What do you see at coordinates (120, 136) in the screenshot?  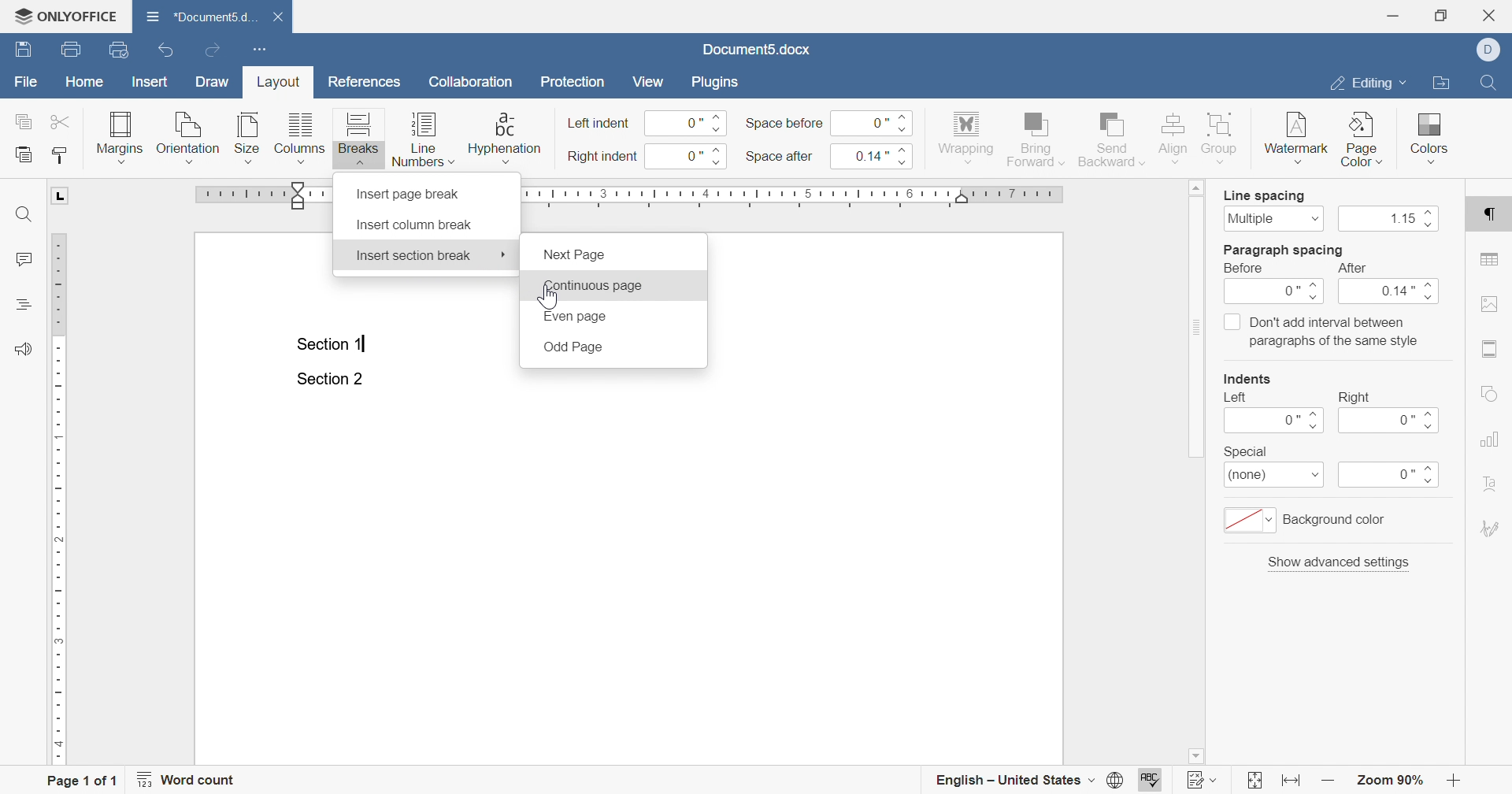 I see `margins` at bounding box center [120, 136].